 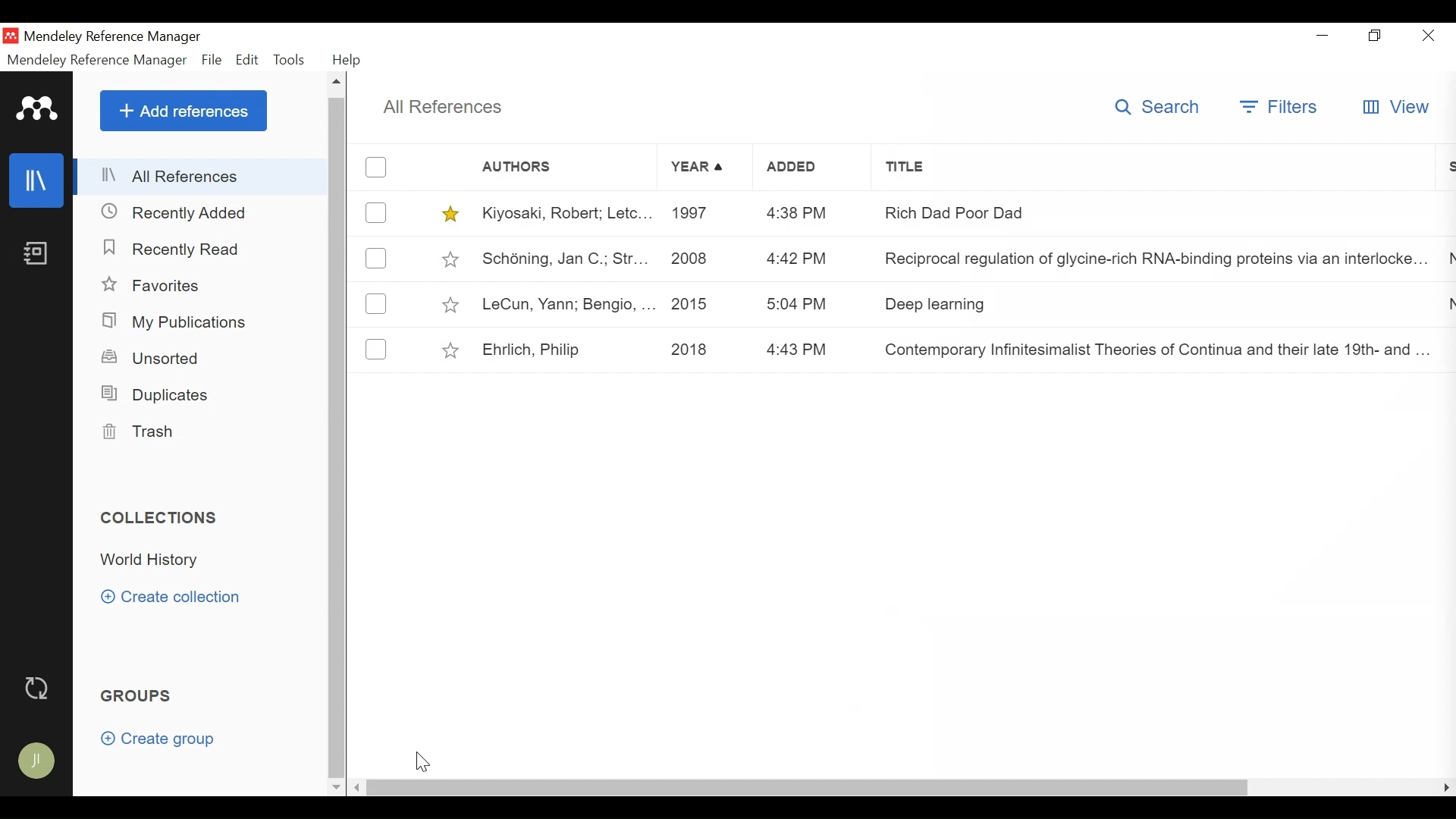 I want to click on Search, so click(x=1157, y=107).